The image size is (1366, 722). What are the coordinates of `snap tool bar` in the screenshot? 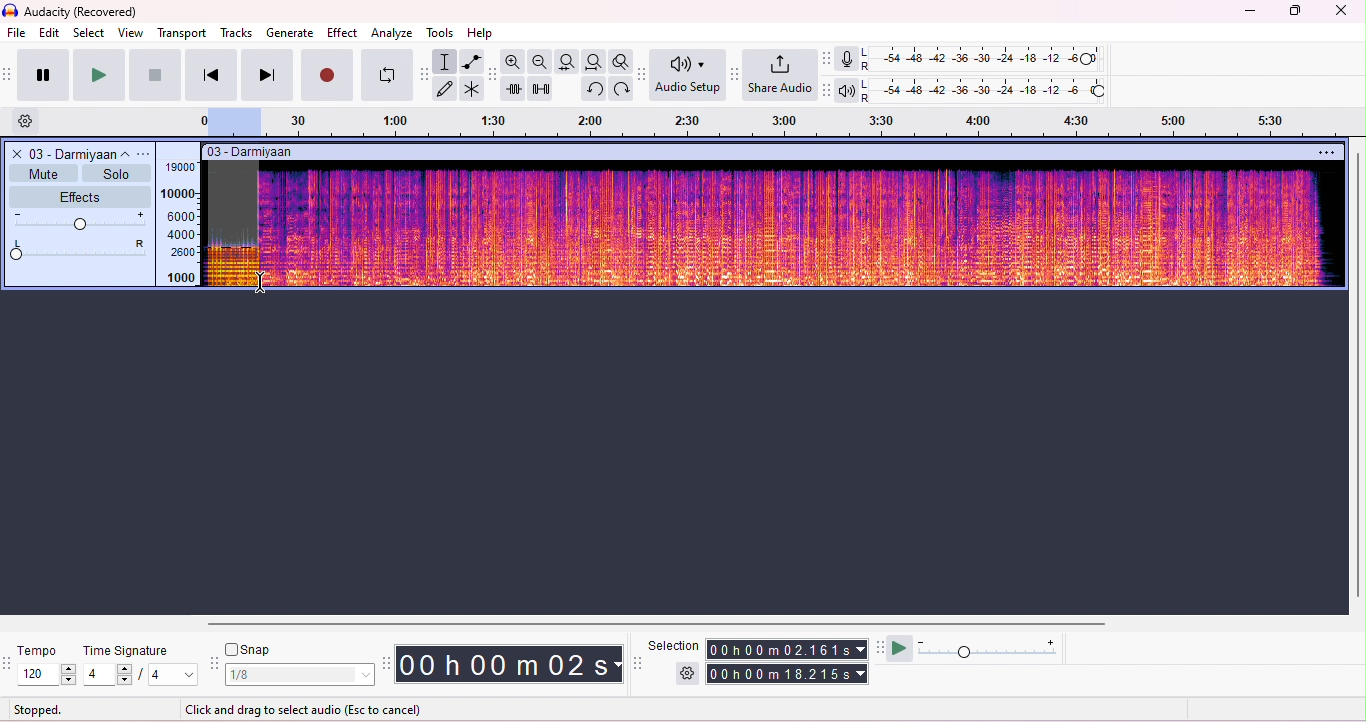 It's located at (215, 661).